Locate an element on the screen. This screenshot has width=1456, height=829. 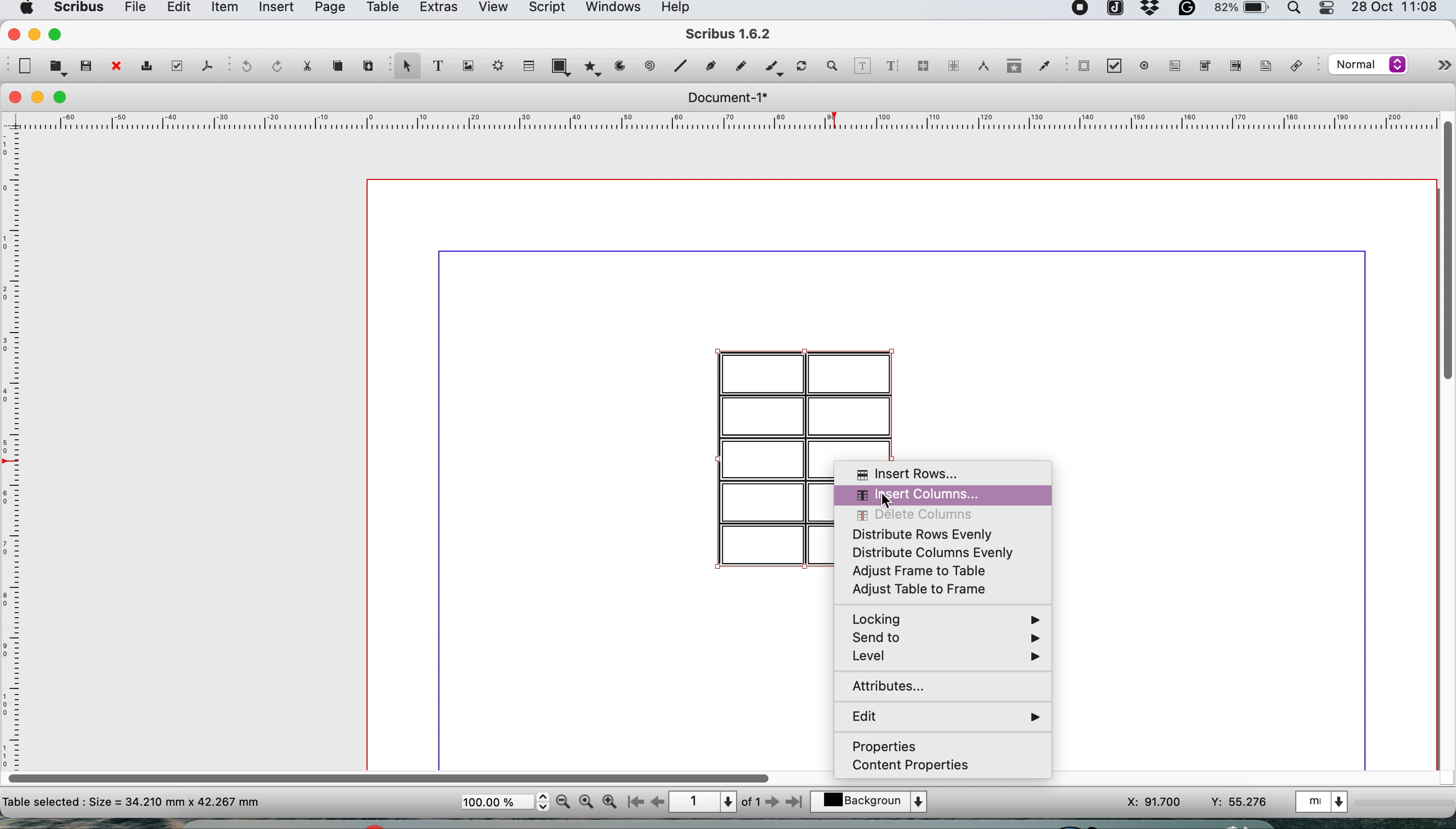
go to previous page is located at coordinates (657, 803).